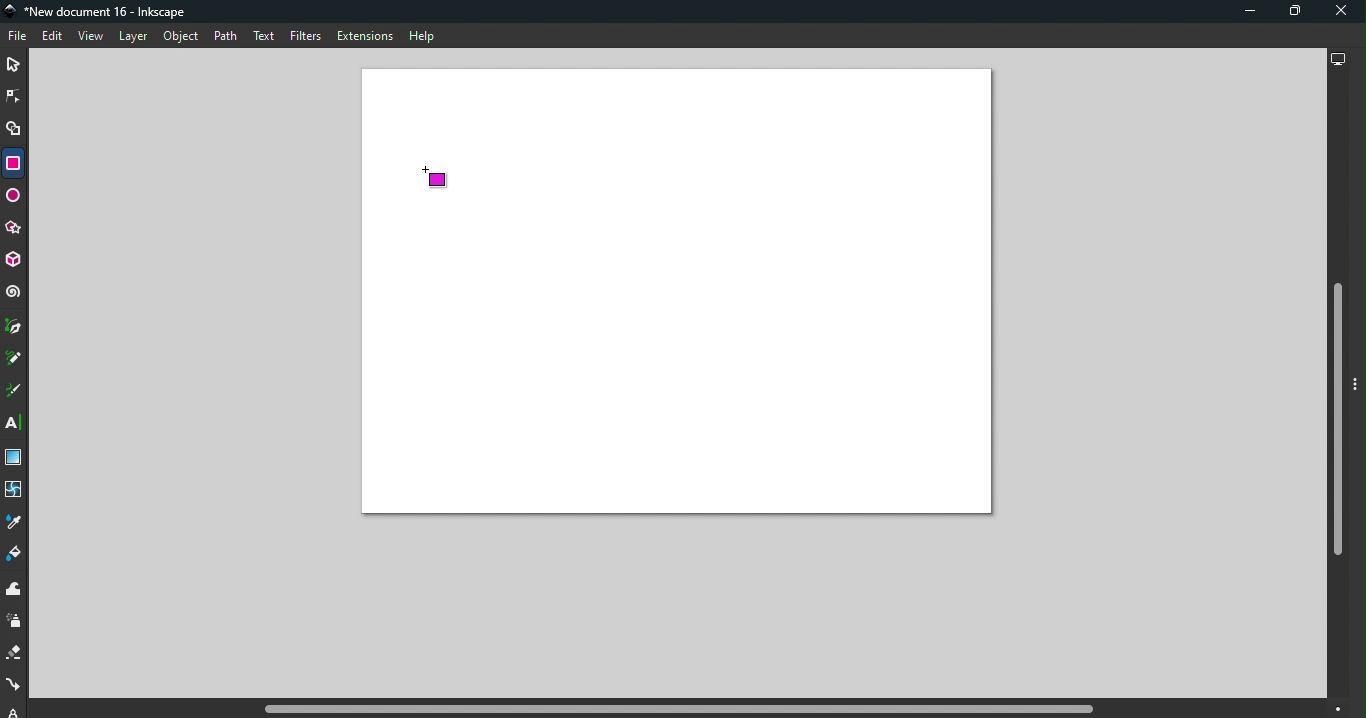 The width and height of the screenshot is (1366, 718). What do you see at coordinates (266, 37) in the screenshot?
I see `Text` at bounding box center [266, 37].